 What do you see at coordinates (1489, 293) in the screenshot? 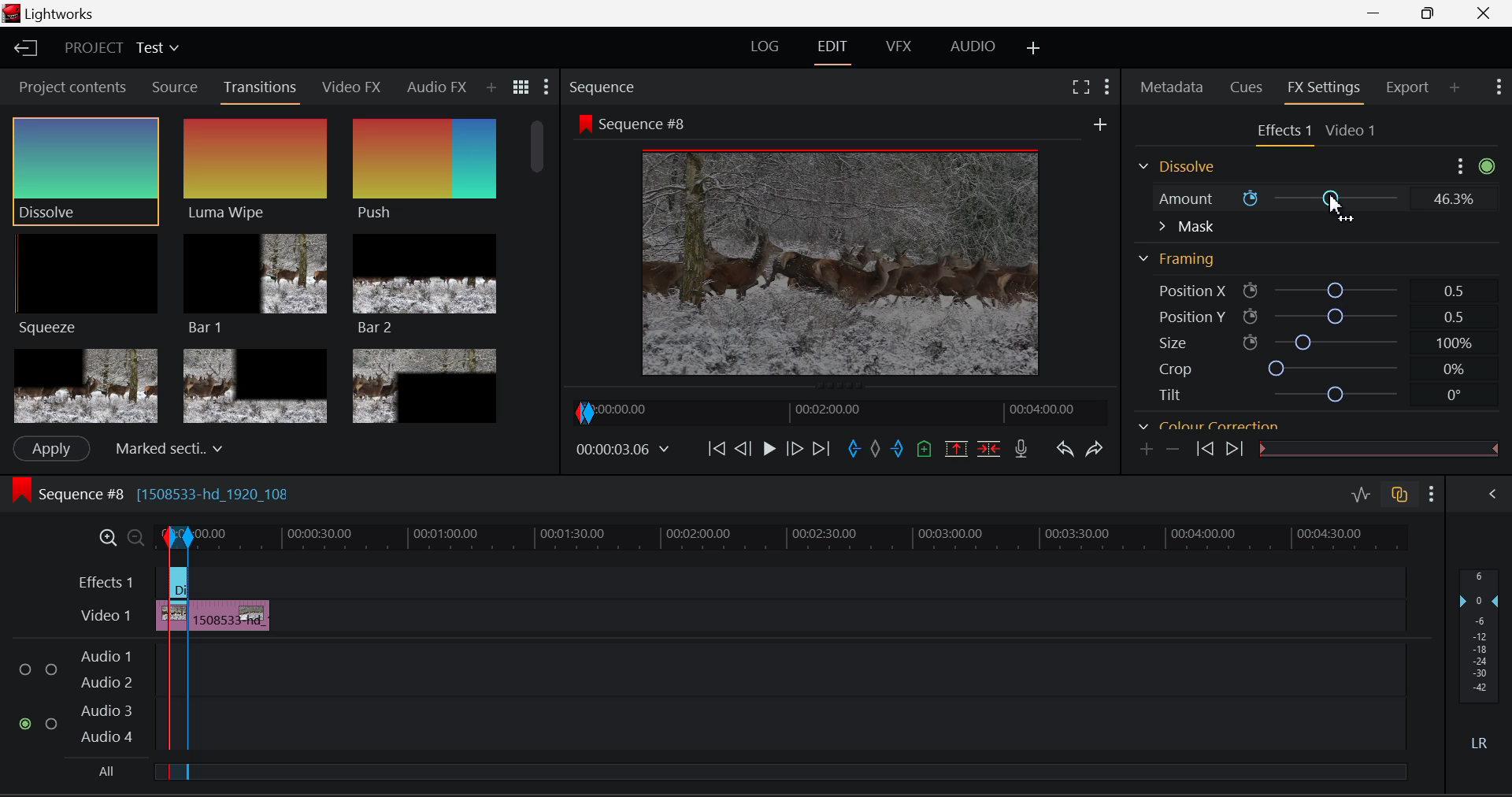
I see `Scroll Bar` at bounding box center [1489, 293].